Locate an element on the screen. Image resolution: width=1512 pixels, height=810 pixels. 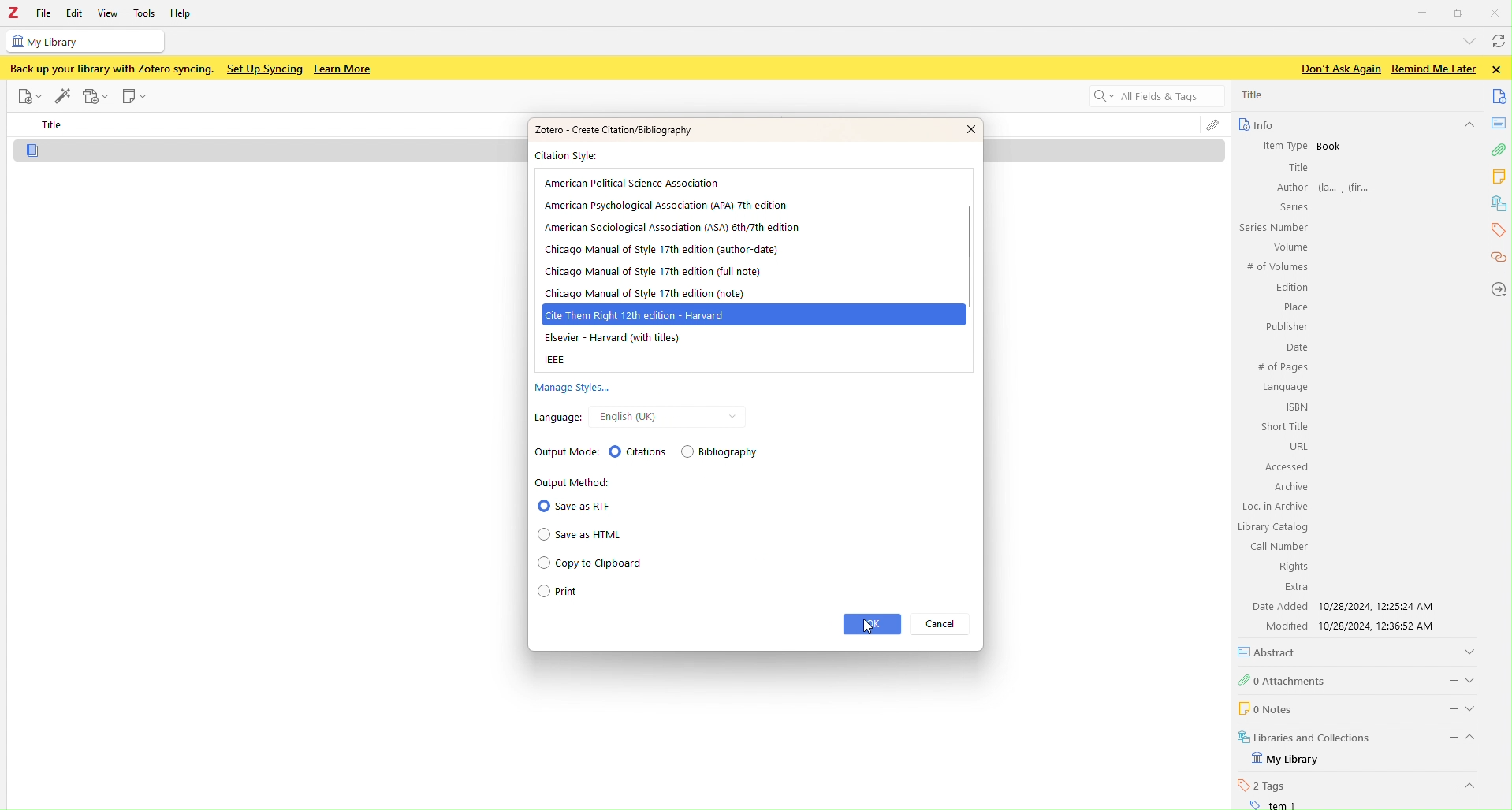
Manage Styles... is located at coordinates (569, 389).